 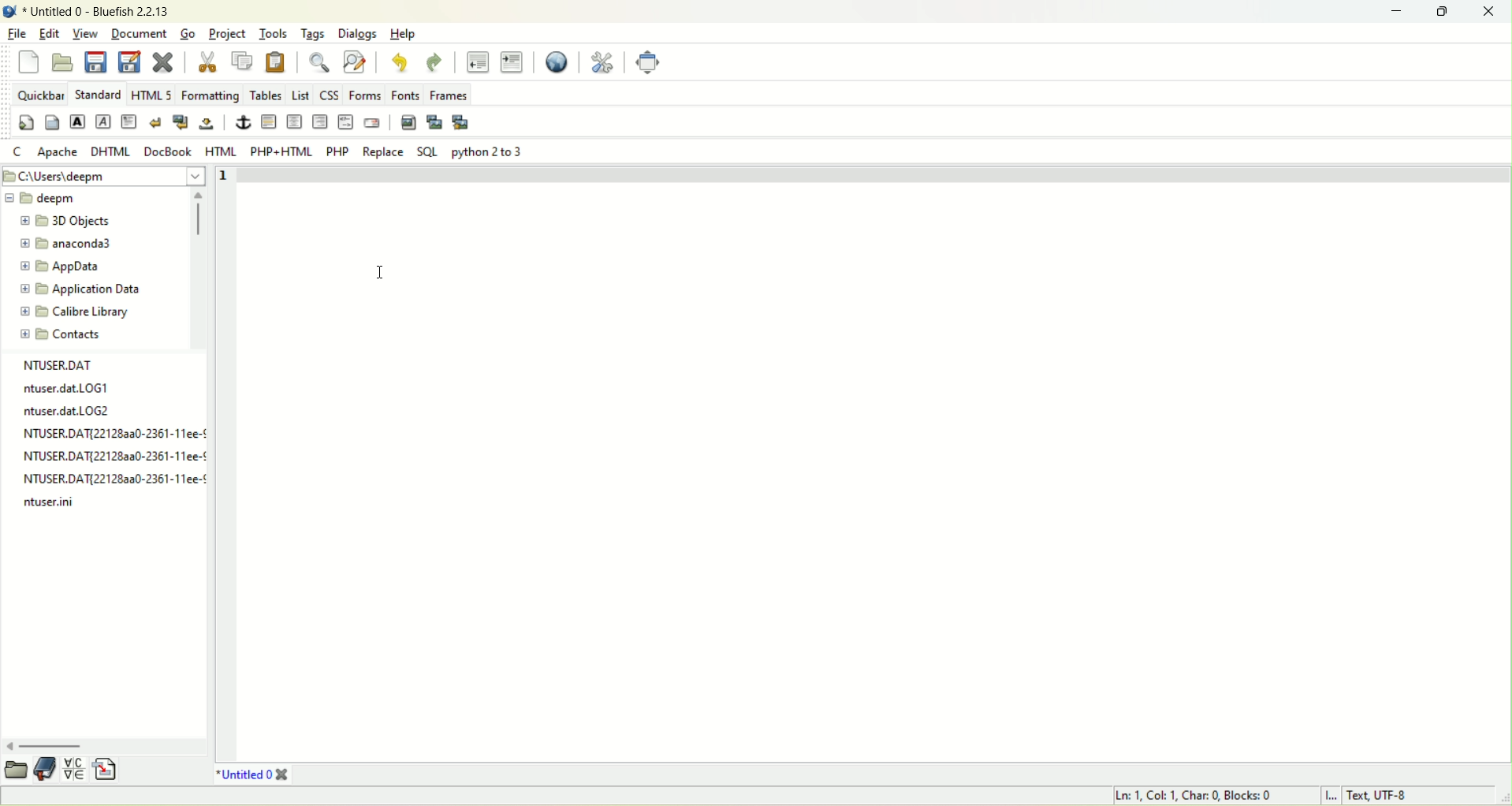 I want to click on formatting, so click(x=210, y=94).